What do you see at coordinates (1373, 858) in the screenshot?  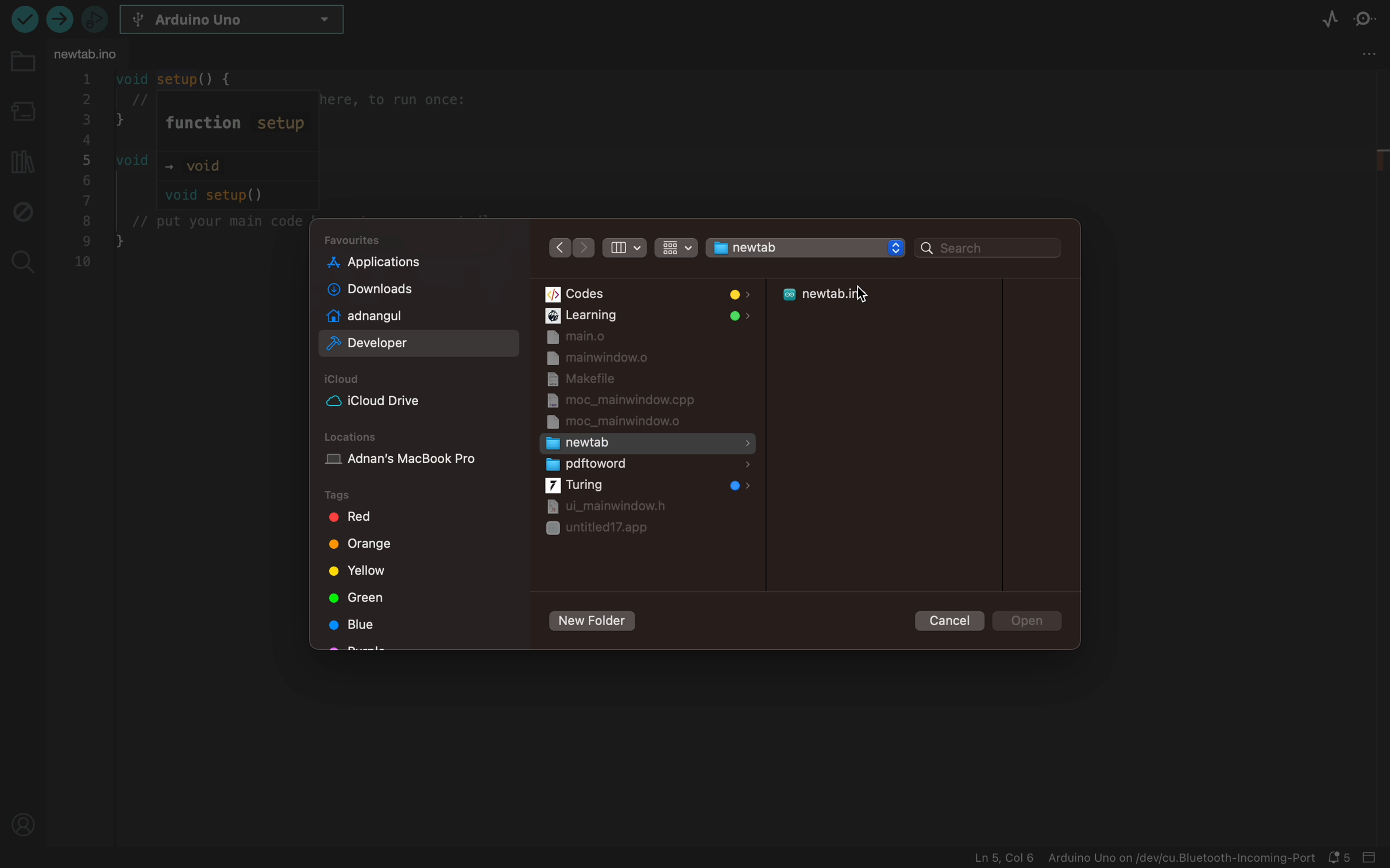 I see `close slide bar` at bounding box center [1373, 858].